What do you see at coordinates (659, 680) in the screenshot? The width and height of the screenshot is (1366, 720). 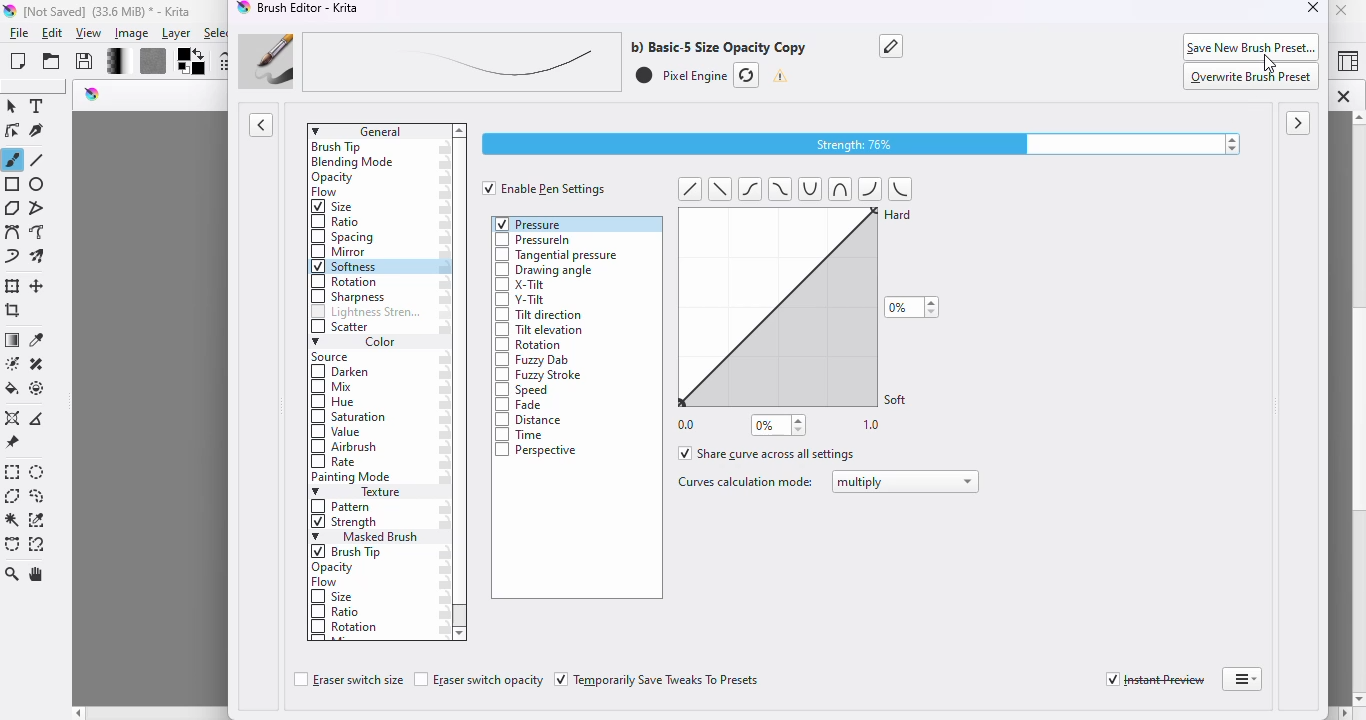 I see `temporarily save tweaks to presets` at bounding box center [659, 680].